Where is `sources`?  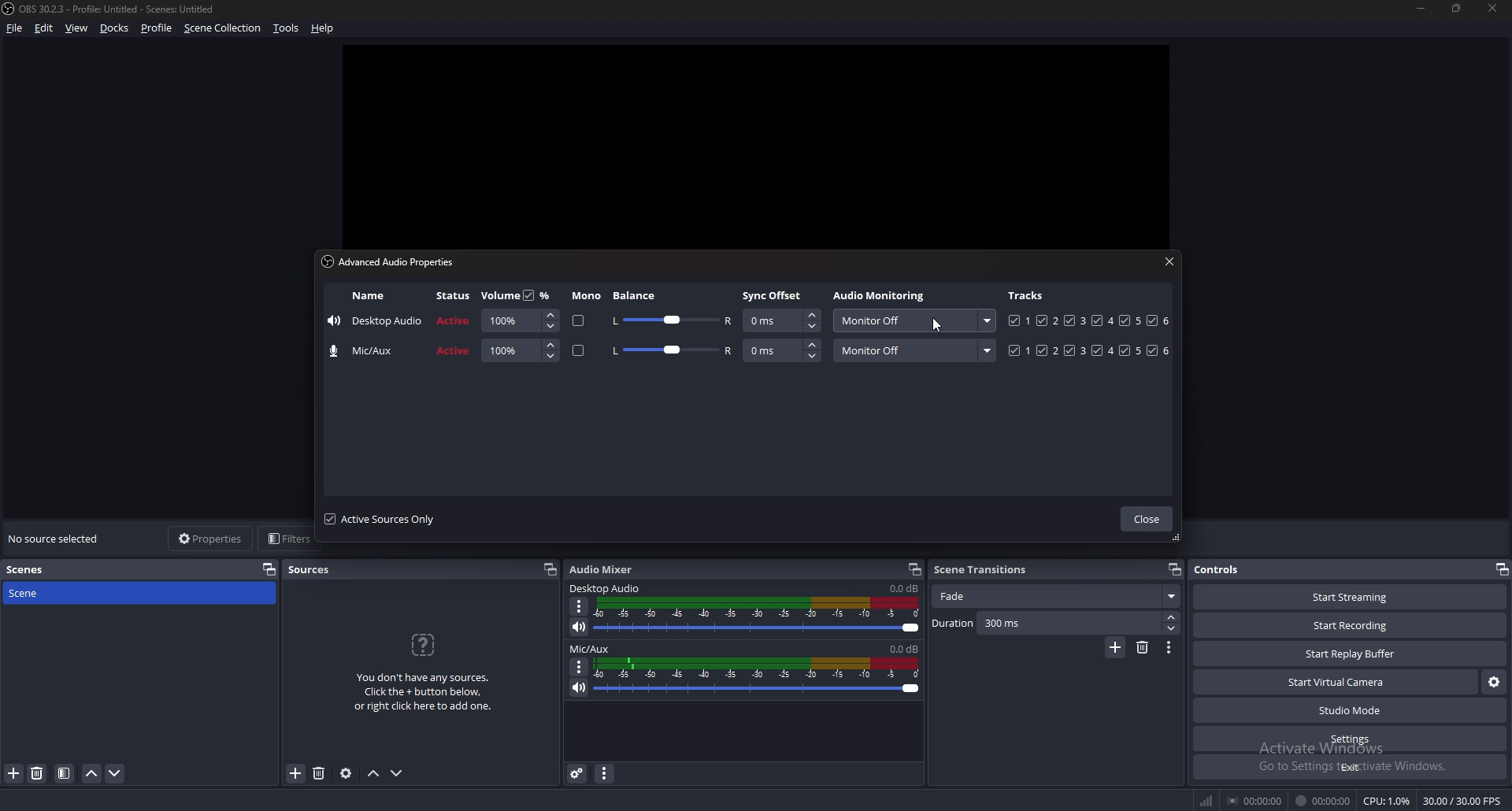
sources is located at coordinates (312, 569).